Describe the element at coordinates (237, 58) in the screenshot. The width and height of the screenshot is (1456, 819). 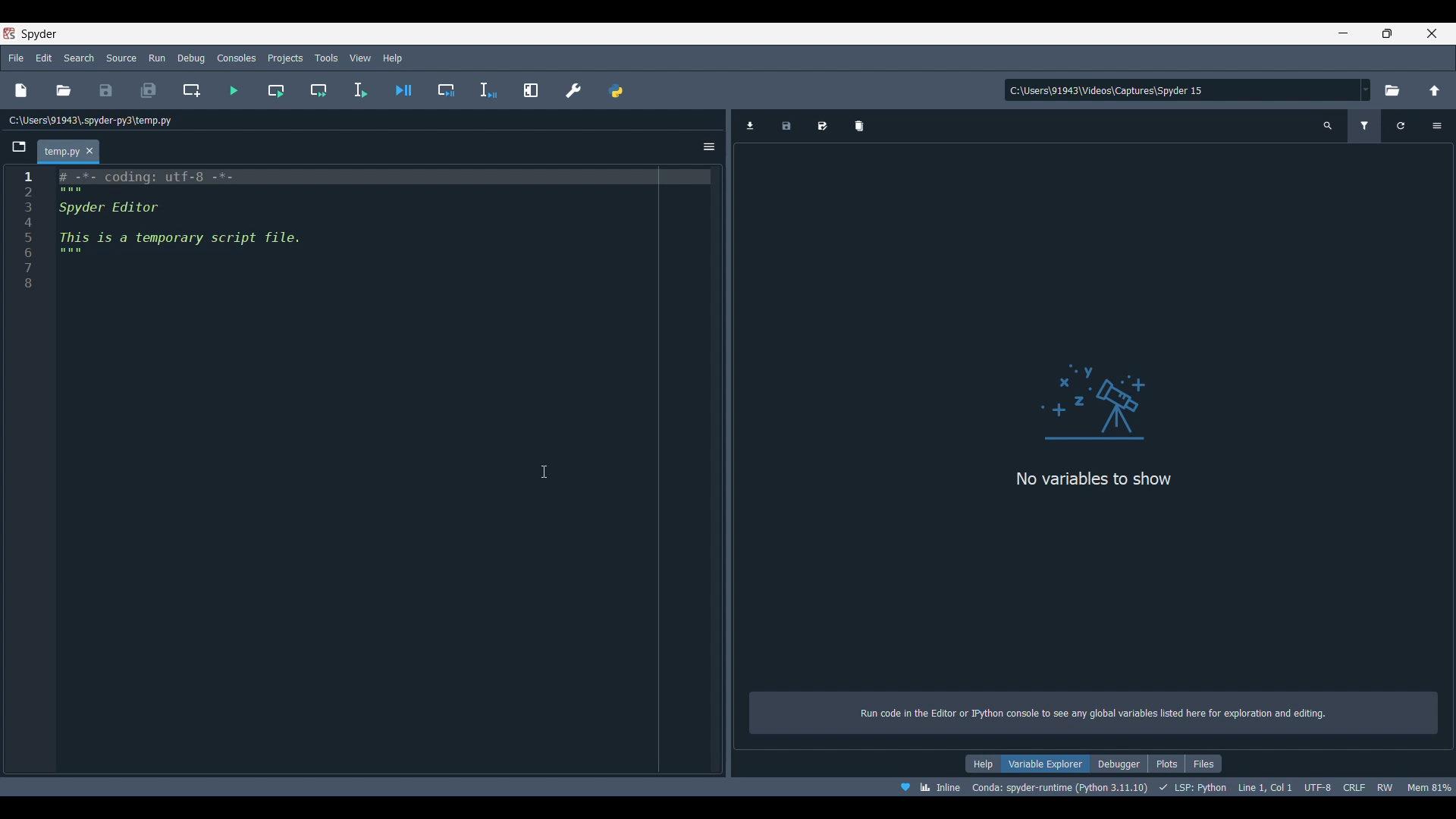
I see `Consoles menu` at that location.